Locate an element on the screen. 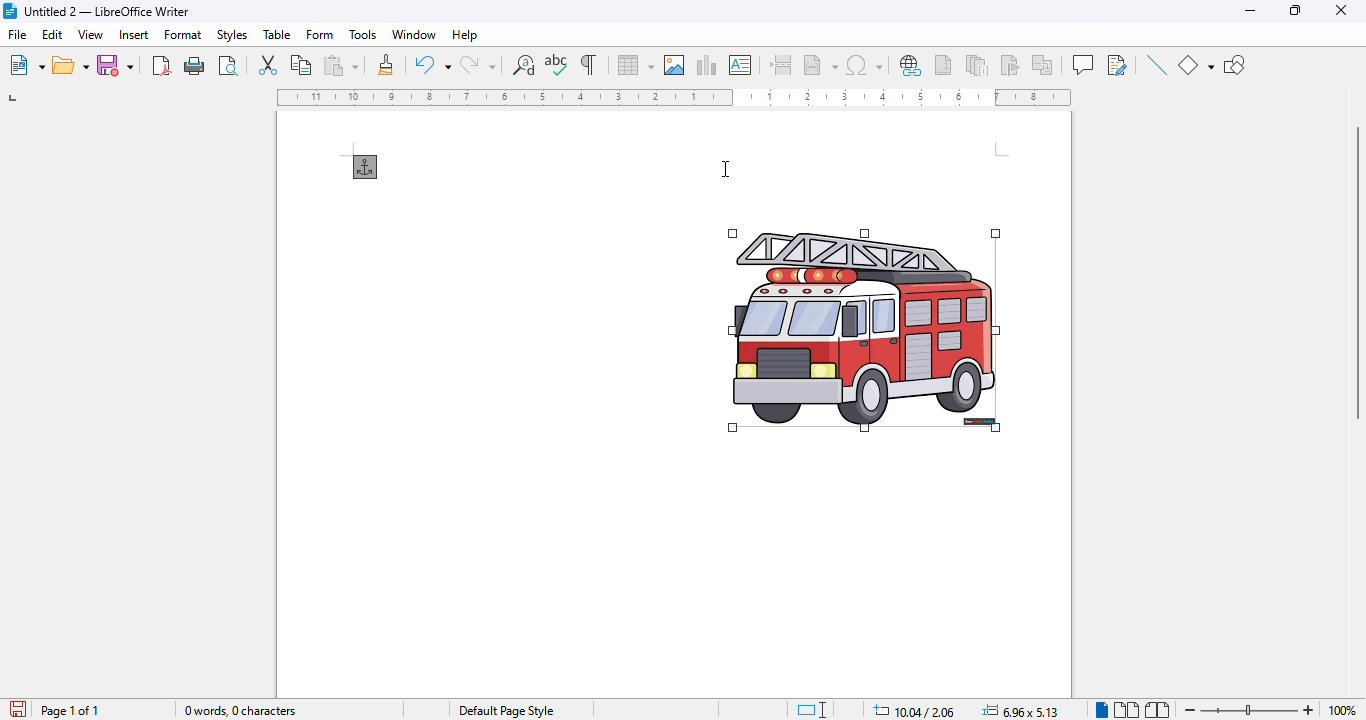 The image size is (1366, 720). width and height of object is located at coordinates (1020, 710).